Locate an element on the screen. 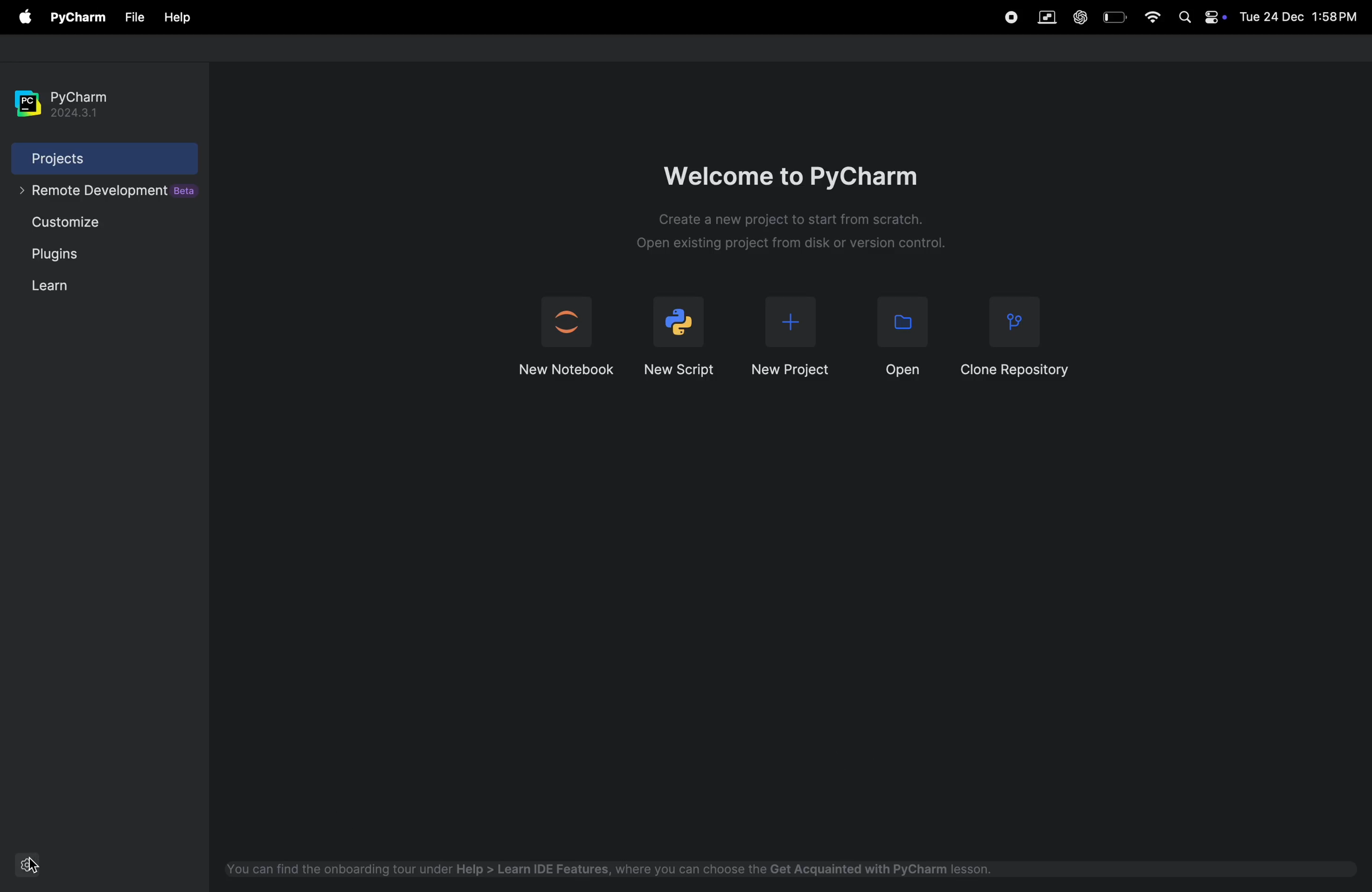 The width and height of the screenshot is (1372, 892). settings is located at coordinates (31, 864).